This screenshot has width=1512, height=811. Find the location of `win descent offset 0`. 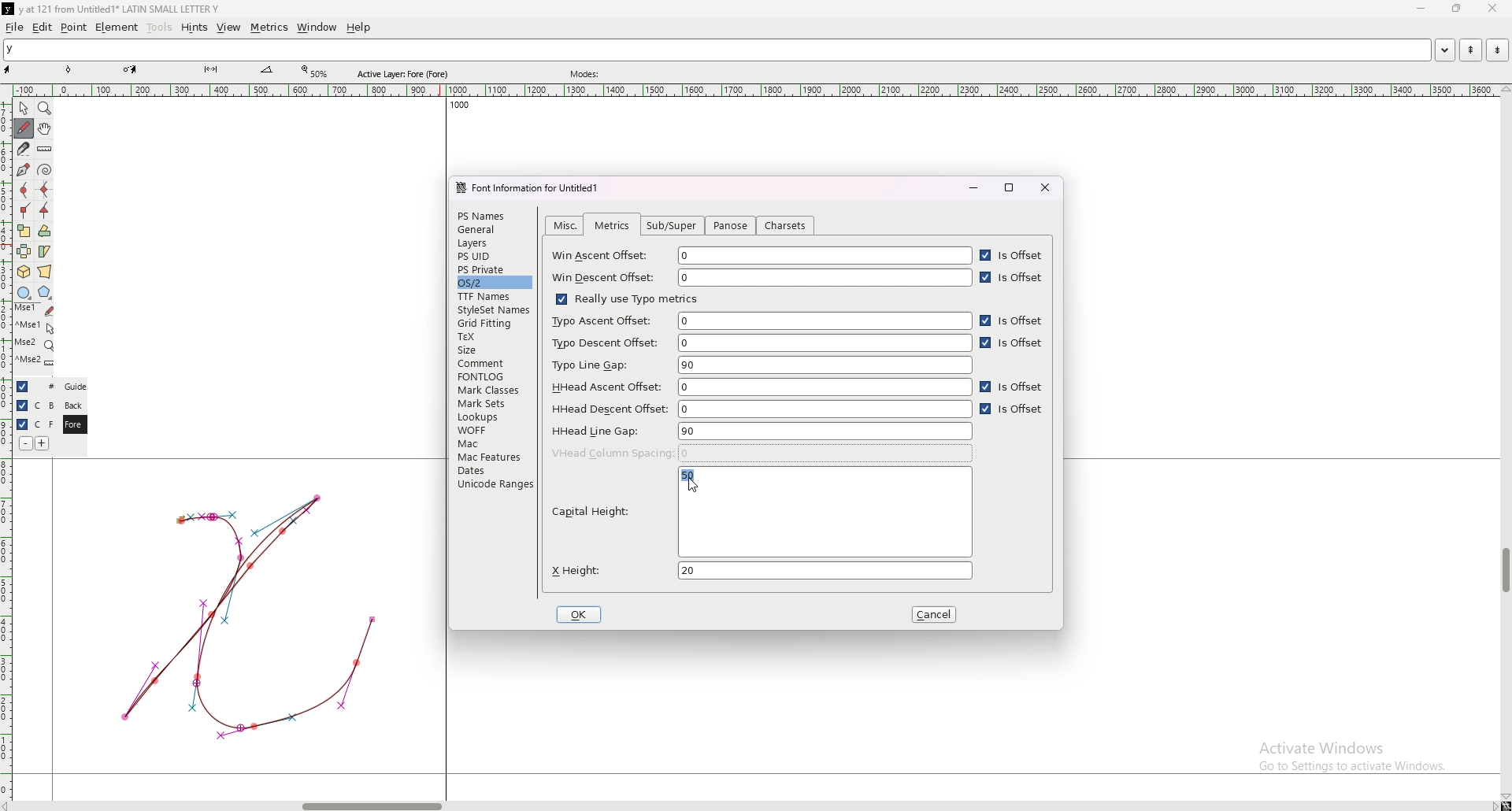

win descent offset 0 is located at coordinates (762, 278).